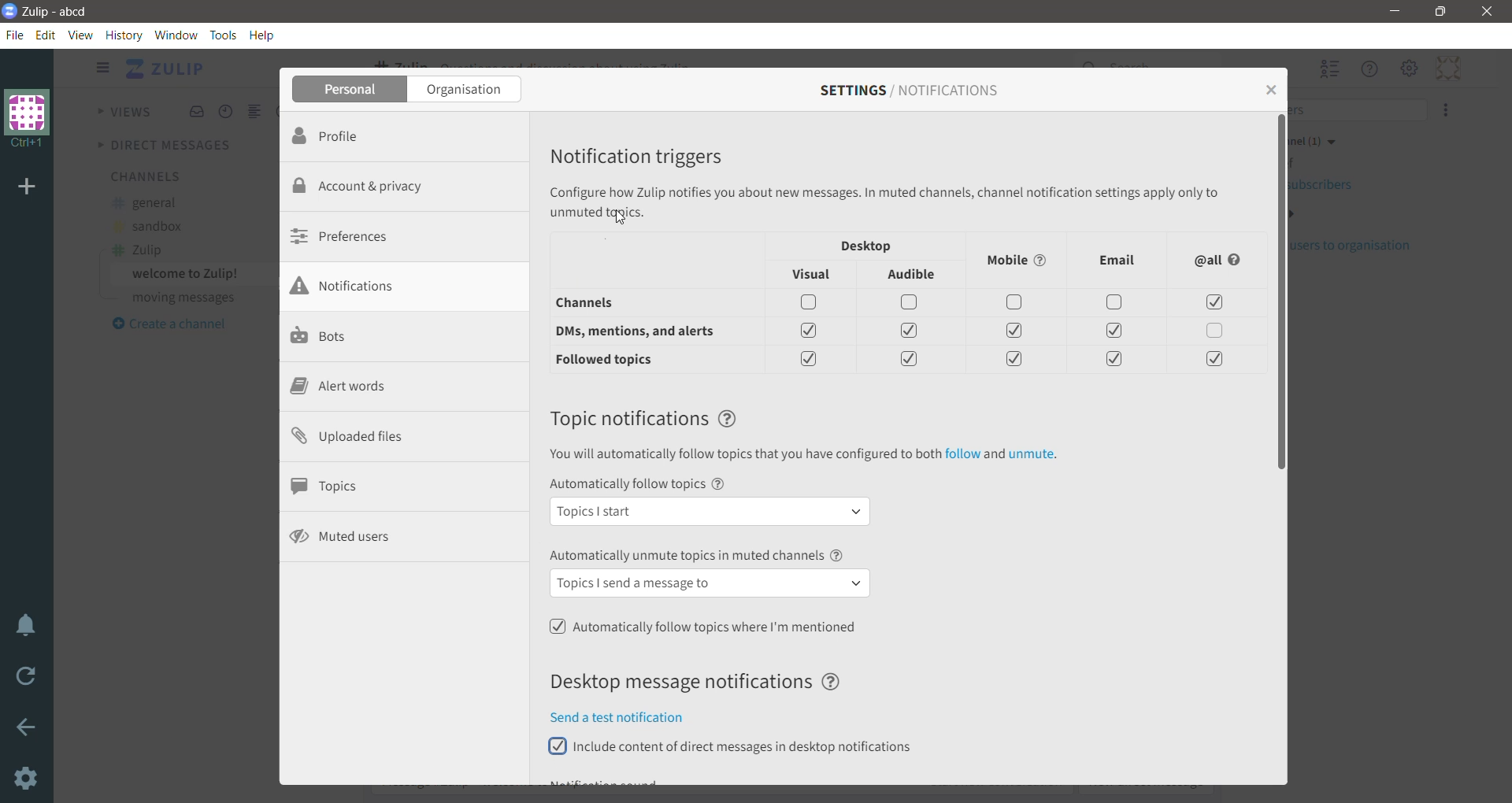  I want to click on Close, so click(1269, 88).